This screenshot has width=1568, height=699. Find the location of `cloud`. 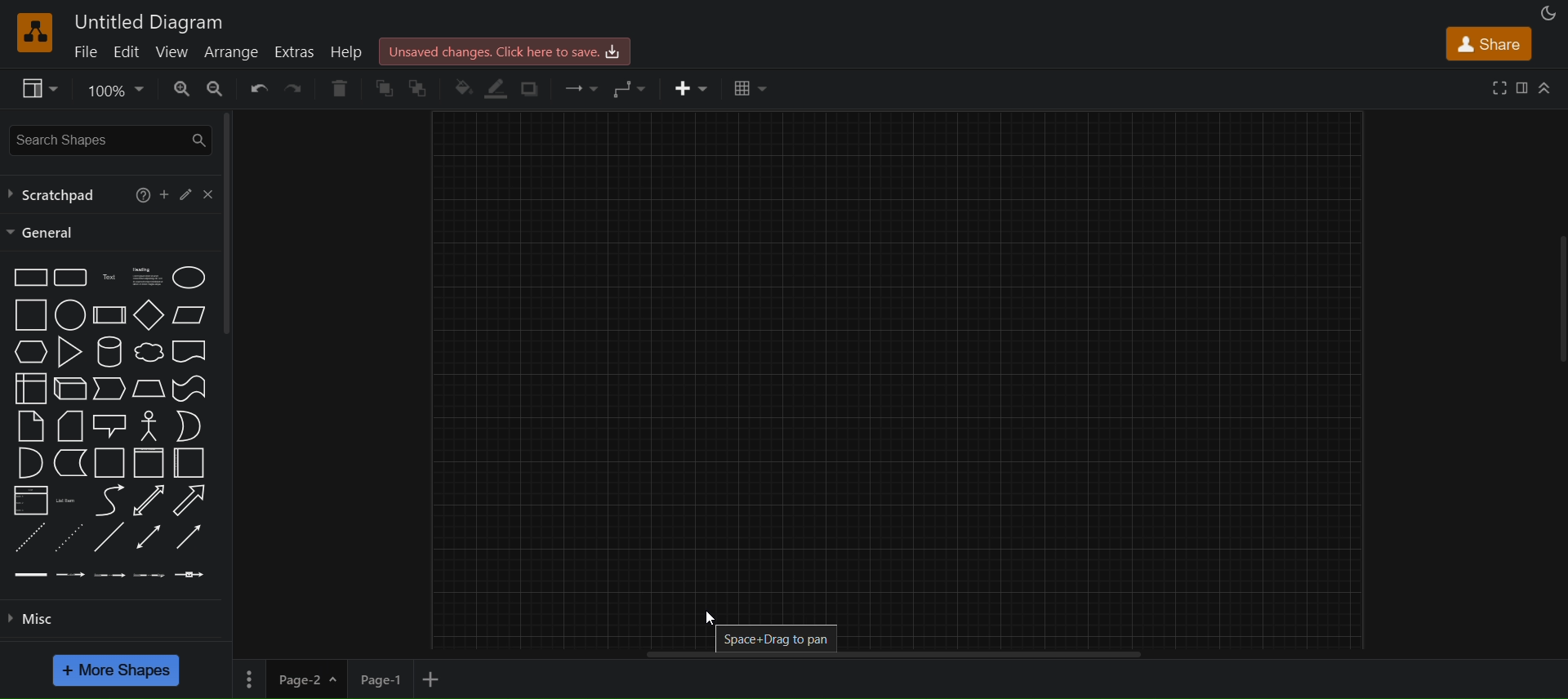

cloud is located at coordinates (147, 353).